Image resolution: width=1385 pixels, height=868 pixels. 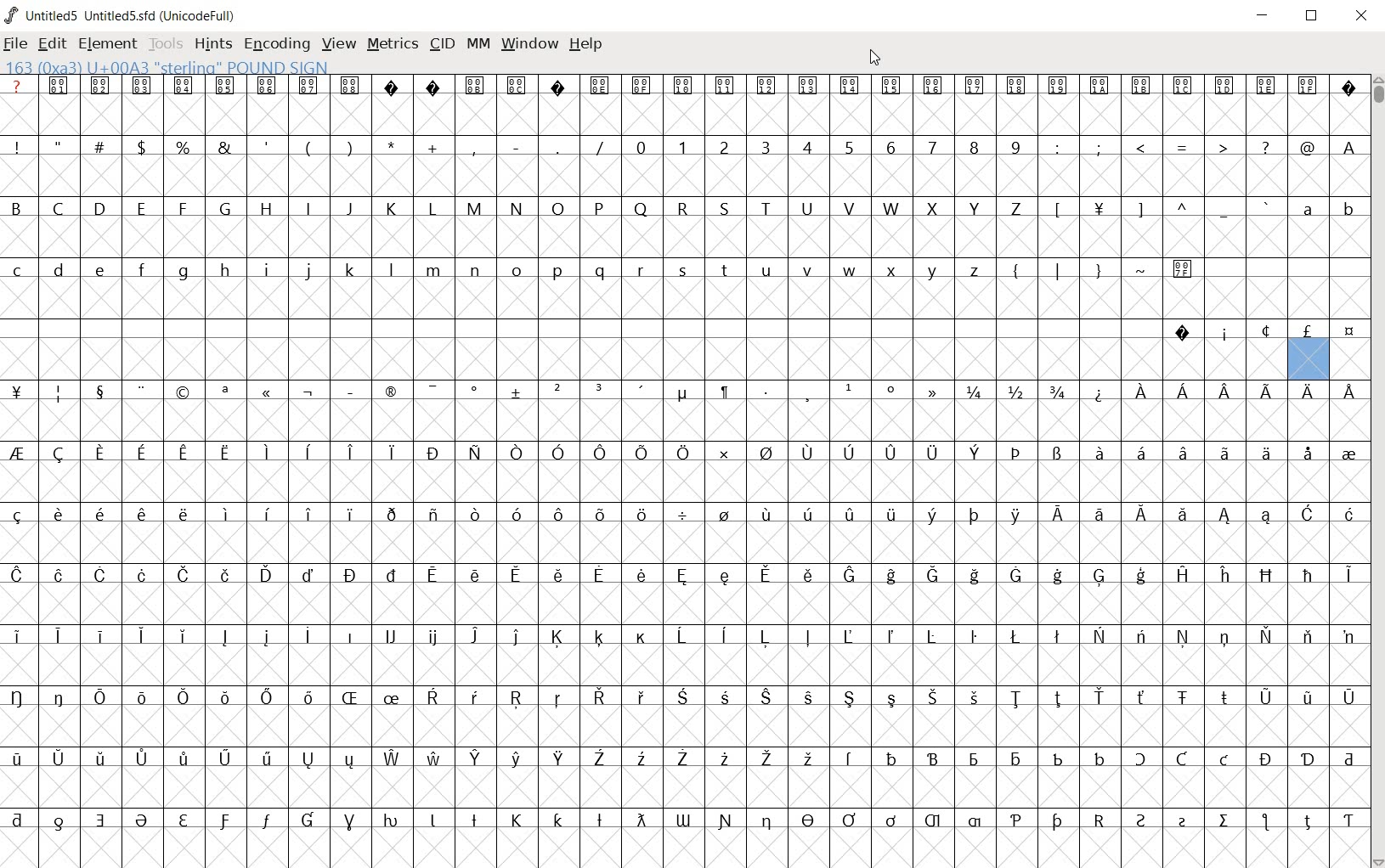 What do you see at coordinates (600, 576) in the screenshot?
I see `Symbol` at bounding box center [600, 576].